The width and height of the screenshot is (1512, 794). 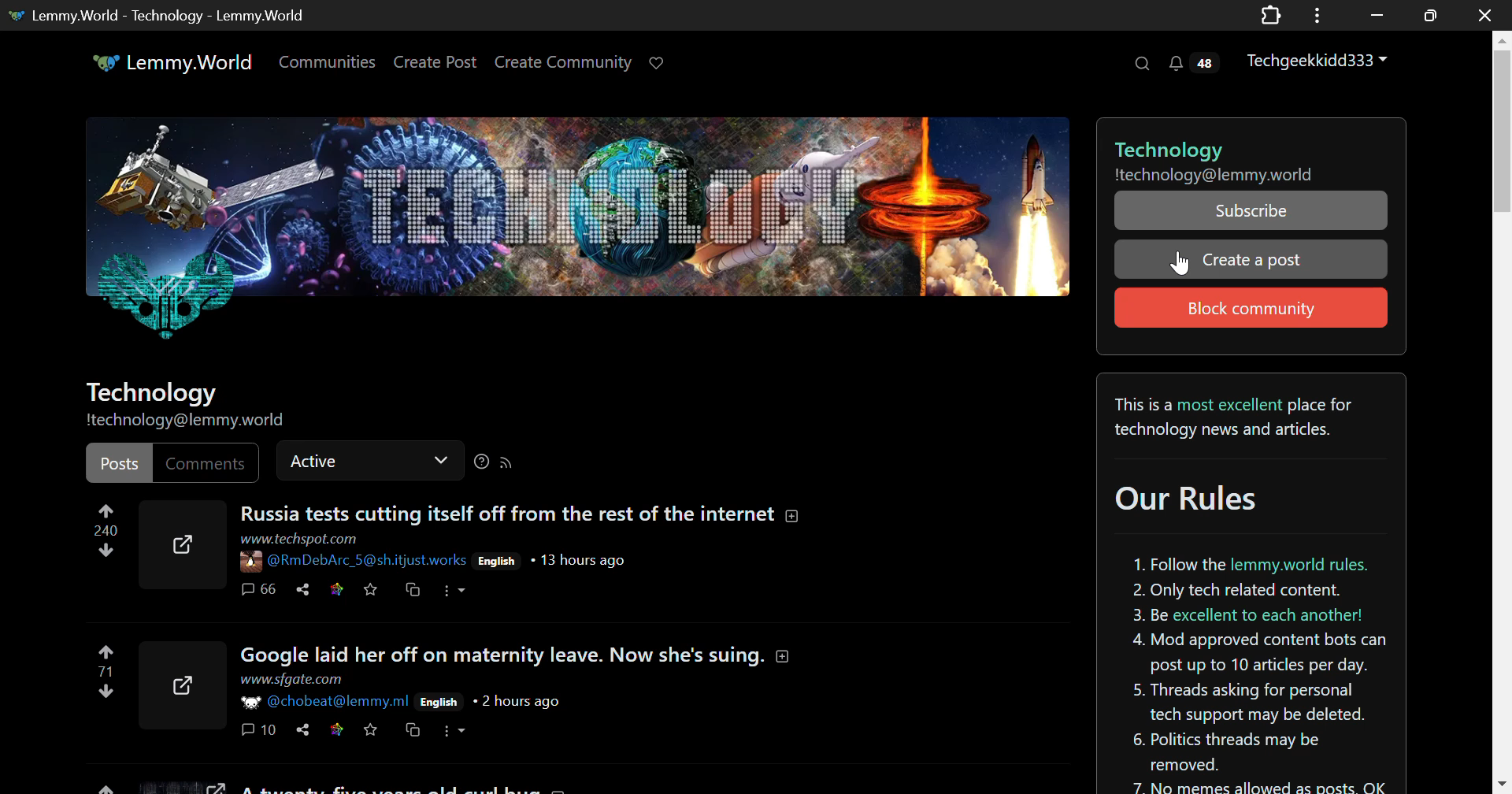 What do you see at coordinates (524, 514) in the screenshot?
I see `Russia tests cutting itself off from the rest of the internet` at bounding box center [524, 514].